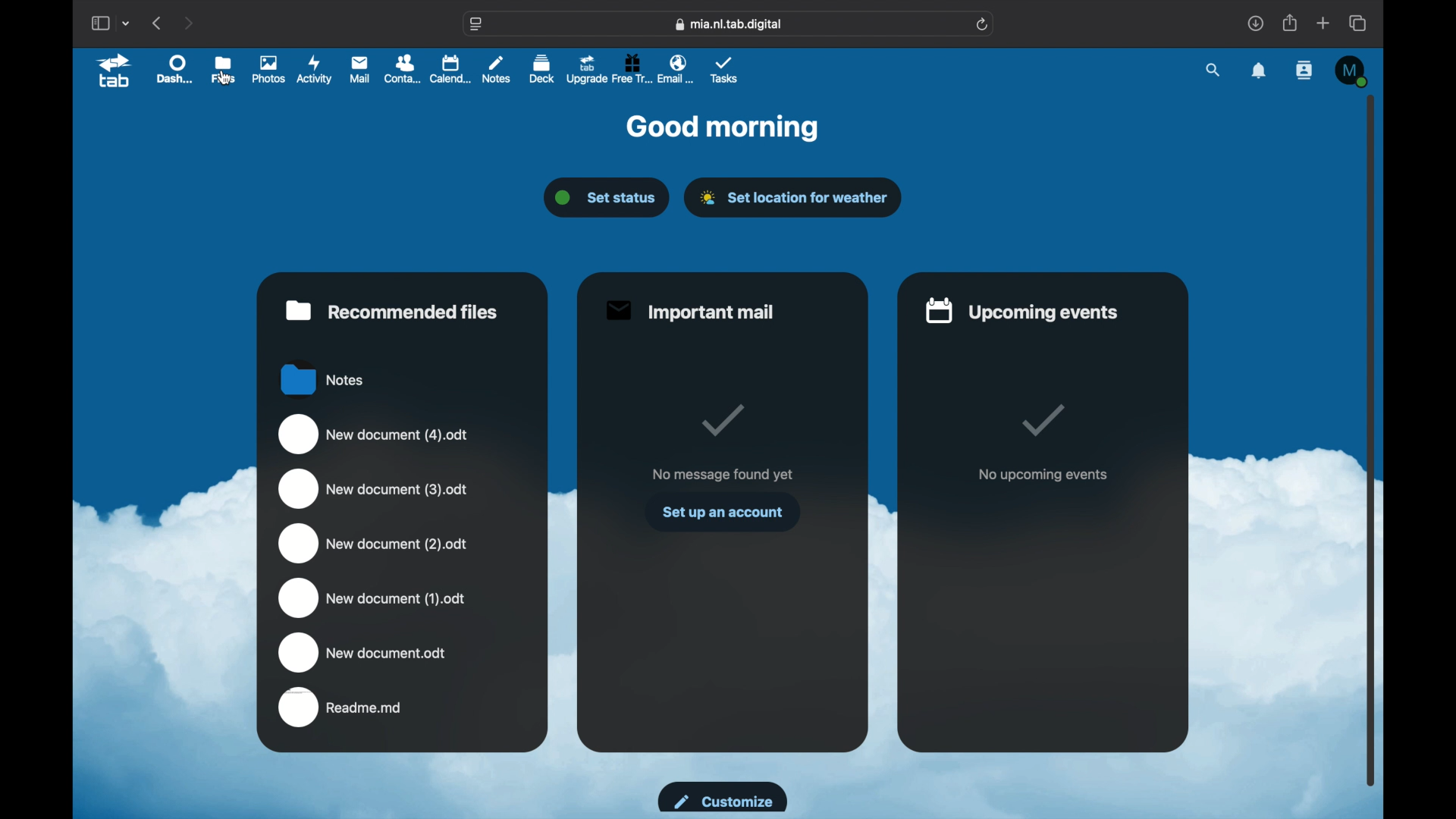 The height and width of the screenshot is (819, 1456). What do you see at coordinates (222, 70) in the screenshot?
I see `files` at bounding box center [222, 70].